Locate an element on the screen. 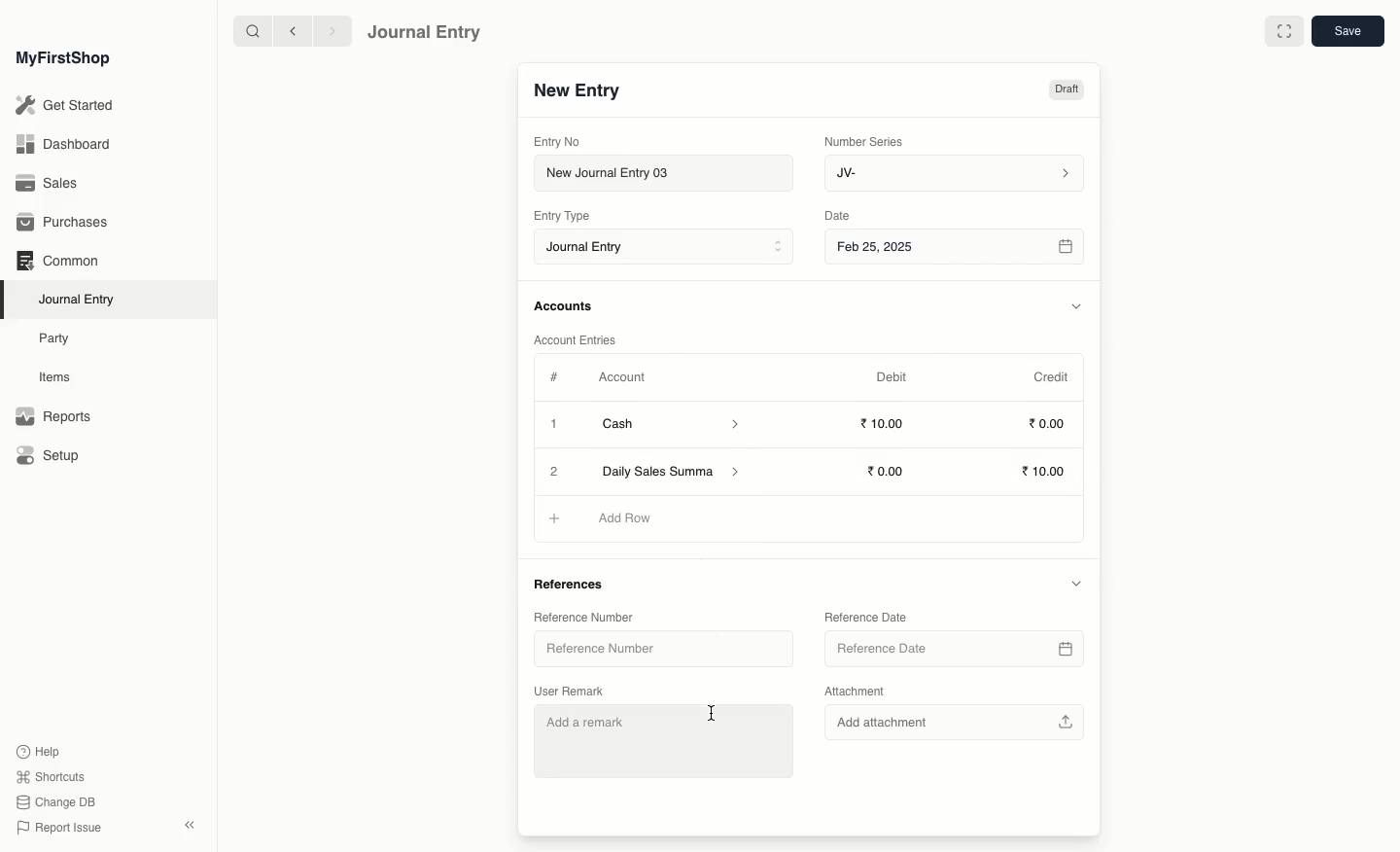 This screenshot has width=1400, height=852. 10.00 is located at coordinates (888, 424).